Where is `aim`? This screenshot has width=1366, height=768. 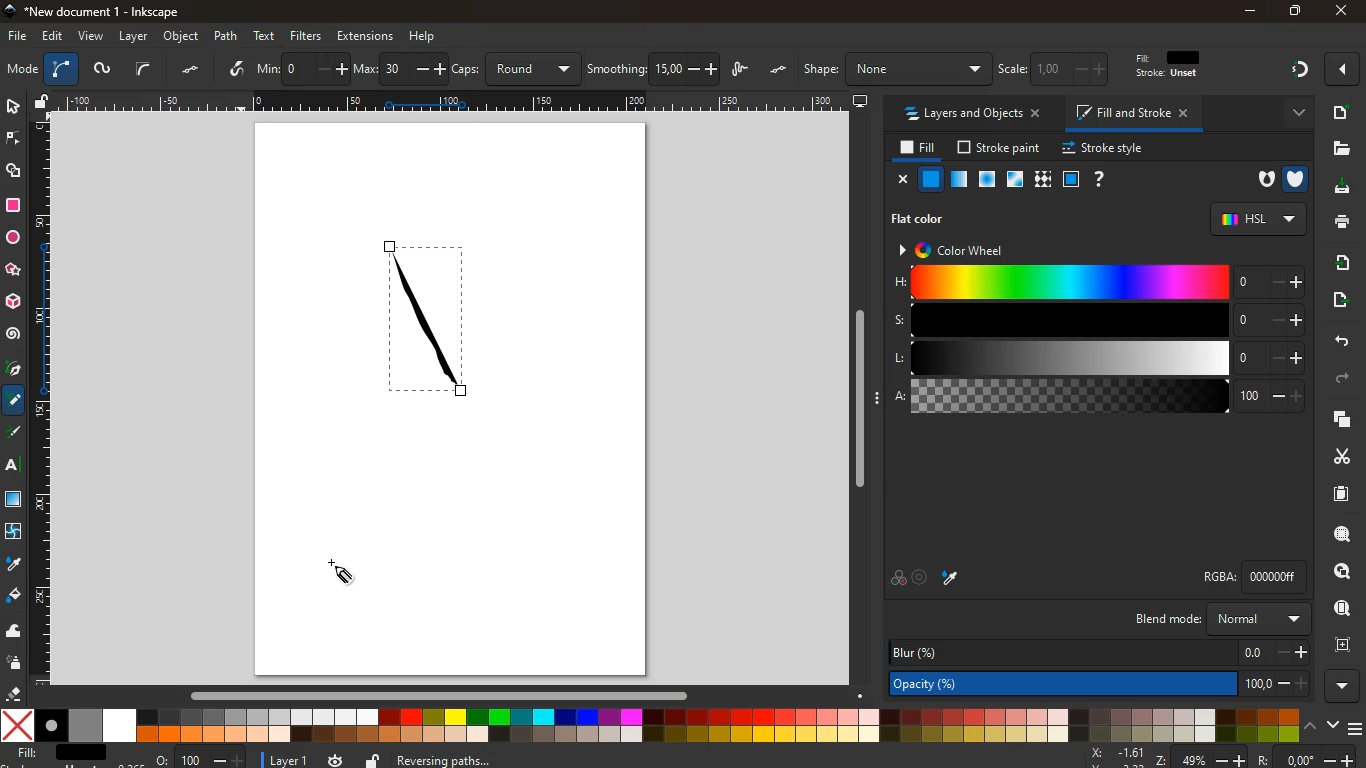 aim is located at coordinates (921, 579).